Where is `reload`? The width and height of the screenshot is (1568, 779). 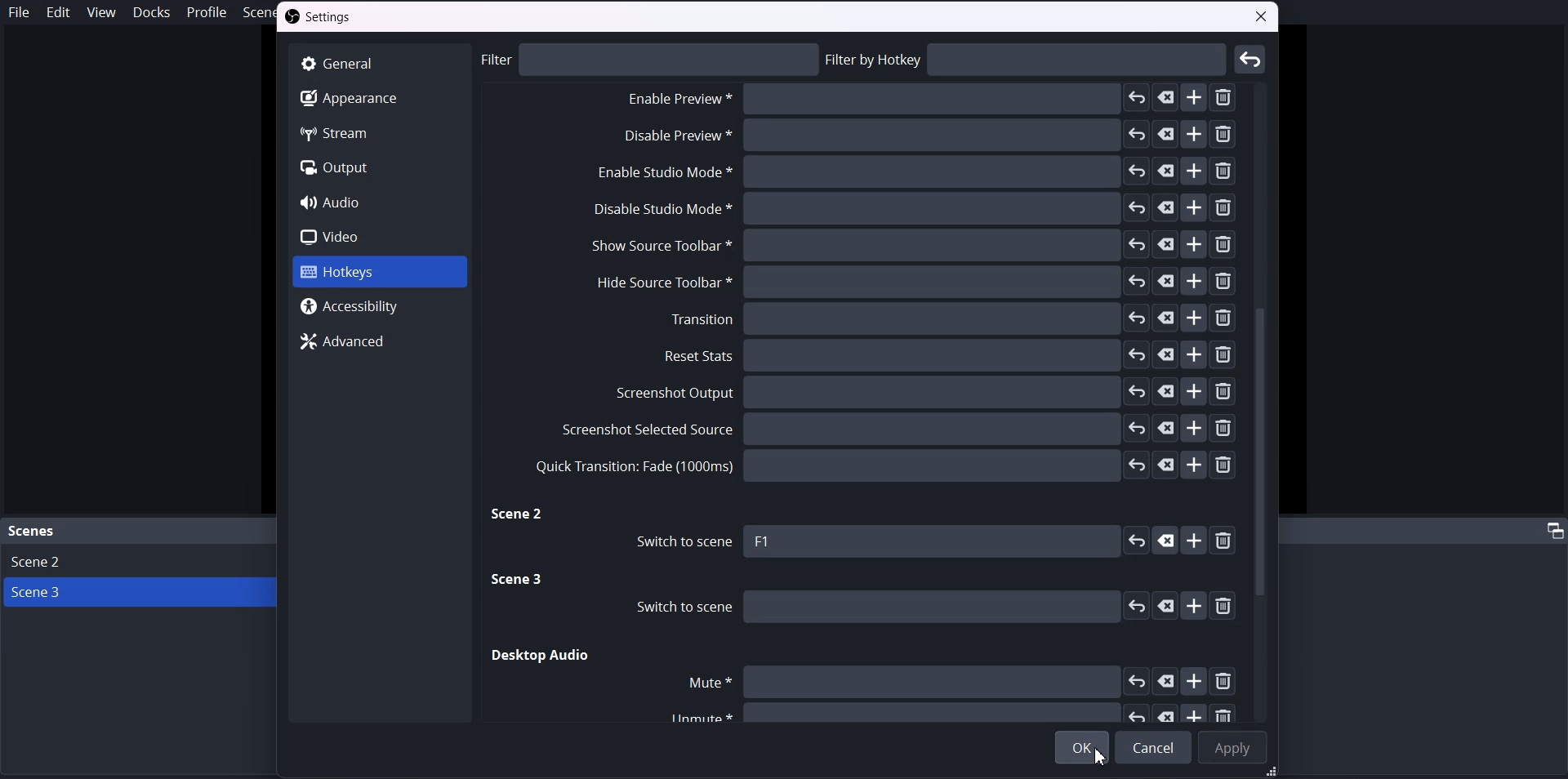 reload is located at coordinates (1136, 541).